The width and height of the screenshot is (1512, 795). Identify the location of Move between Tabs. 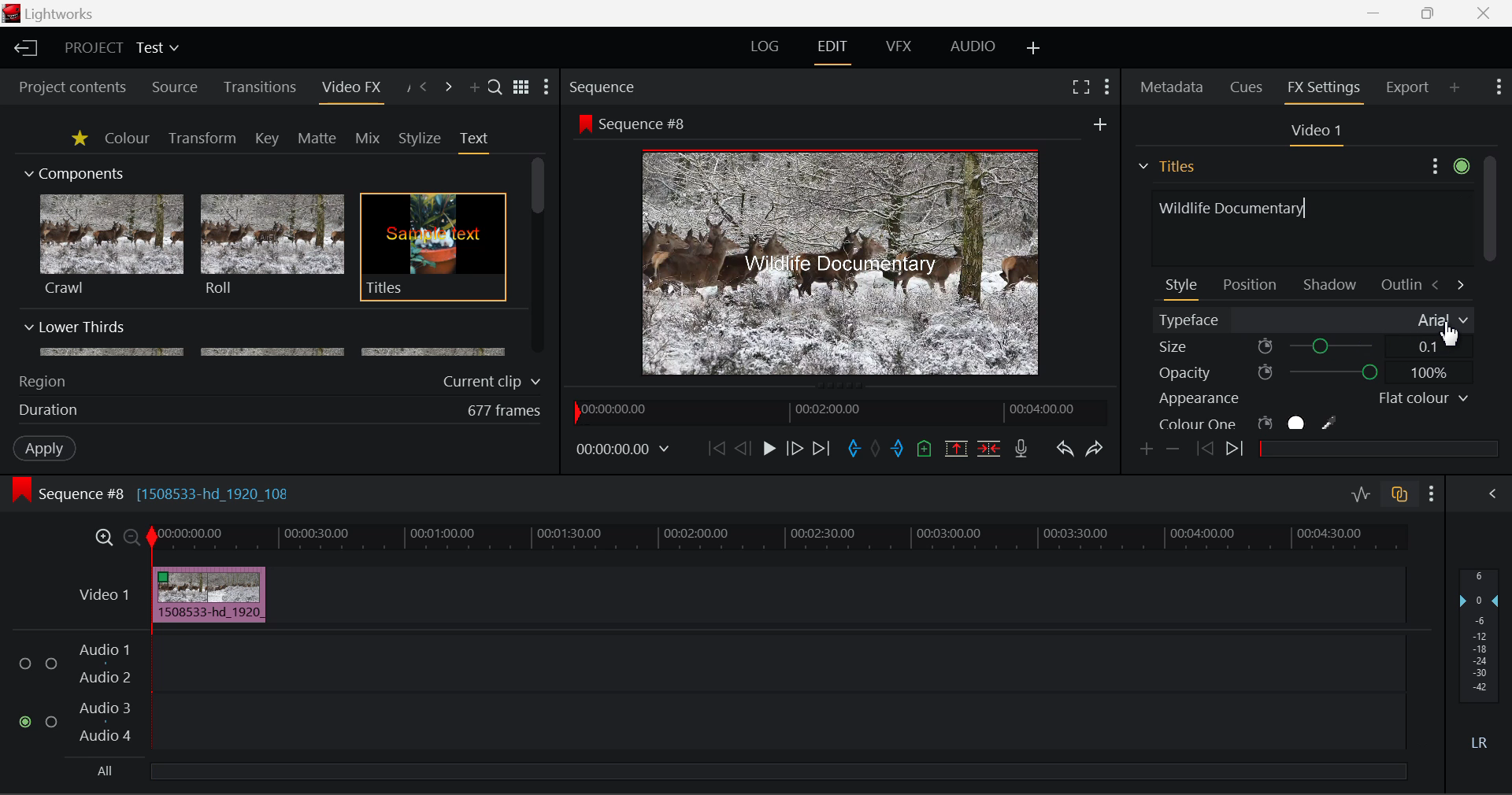
(1447, 283).